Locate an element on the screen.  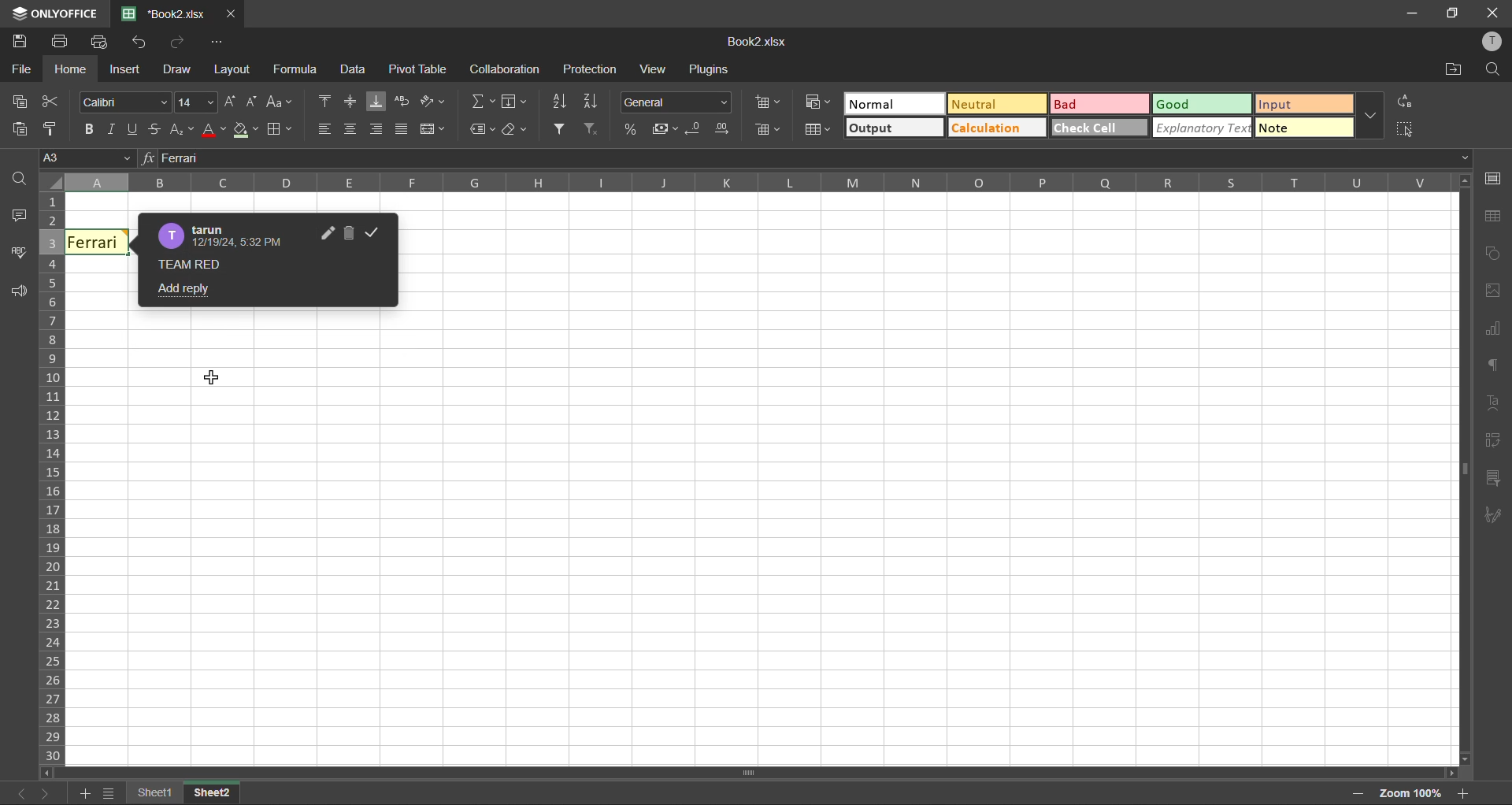
previous is located at coordinates (17, 796).